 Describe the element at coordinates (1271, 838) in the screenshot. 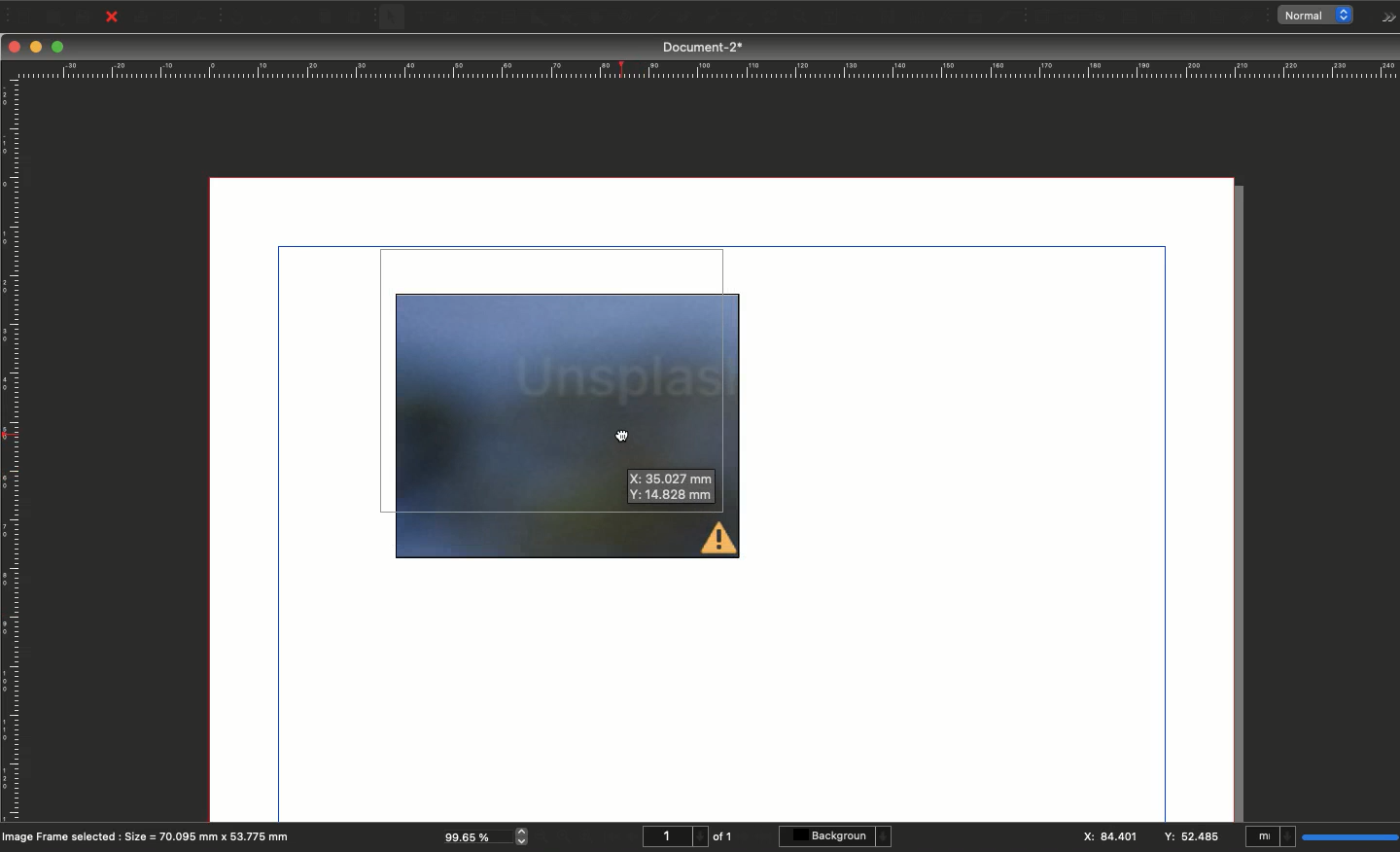

I see `mI` at that location.